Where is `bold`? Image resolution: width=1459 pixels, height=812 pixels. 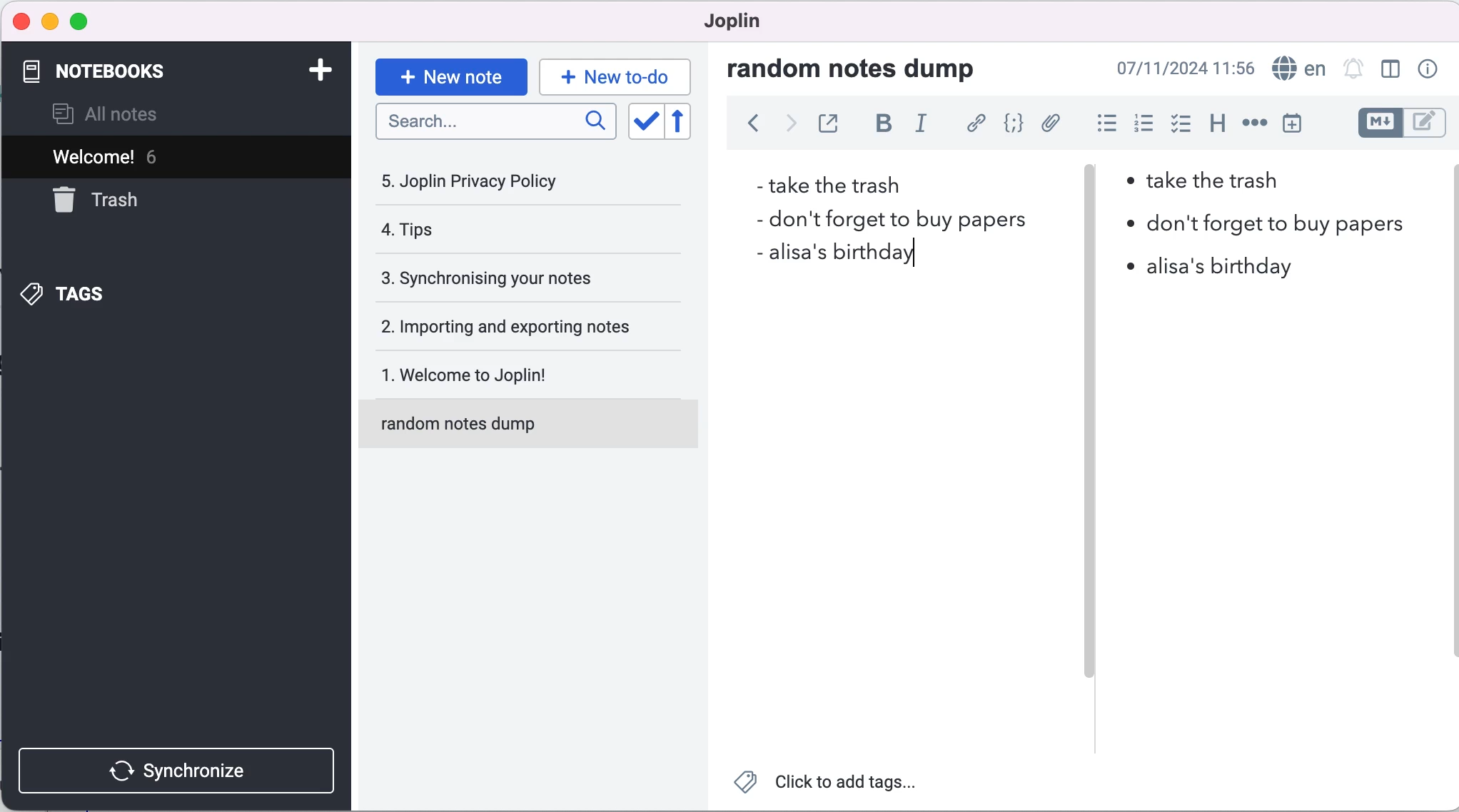 bold is located at coordinates (879, 126).